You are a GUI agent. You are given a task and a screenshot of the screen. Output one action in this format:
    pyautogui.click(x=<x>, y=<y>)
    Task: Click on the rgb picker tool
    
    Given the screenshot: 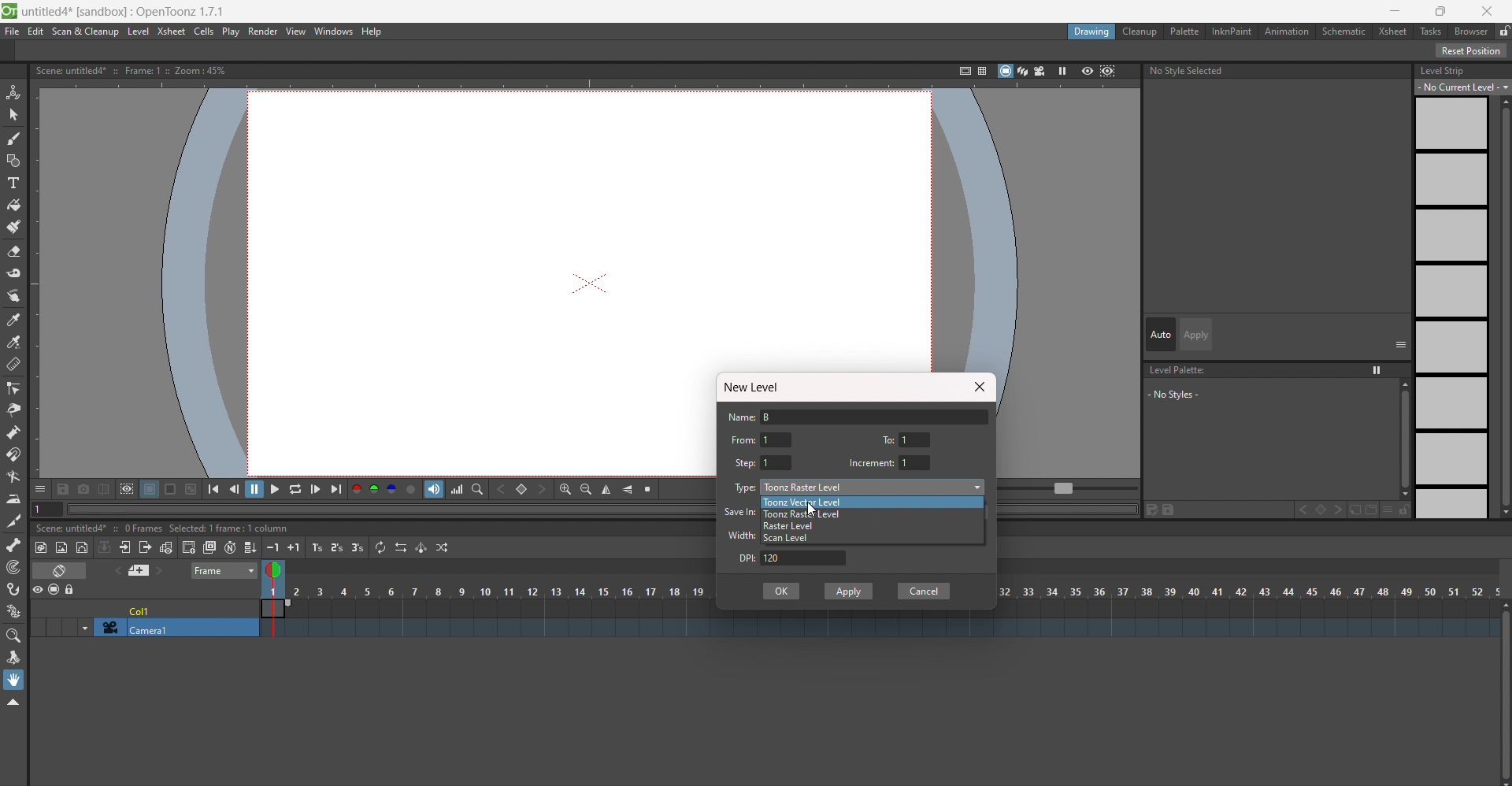 What is the action you would take?
    pyautogui.click(x=13, y=343)
    